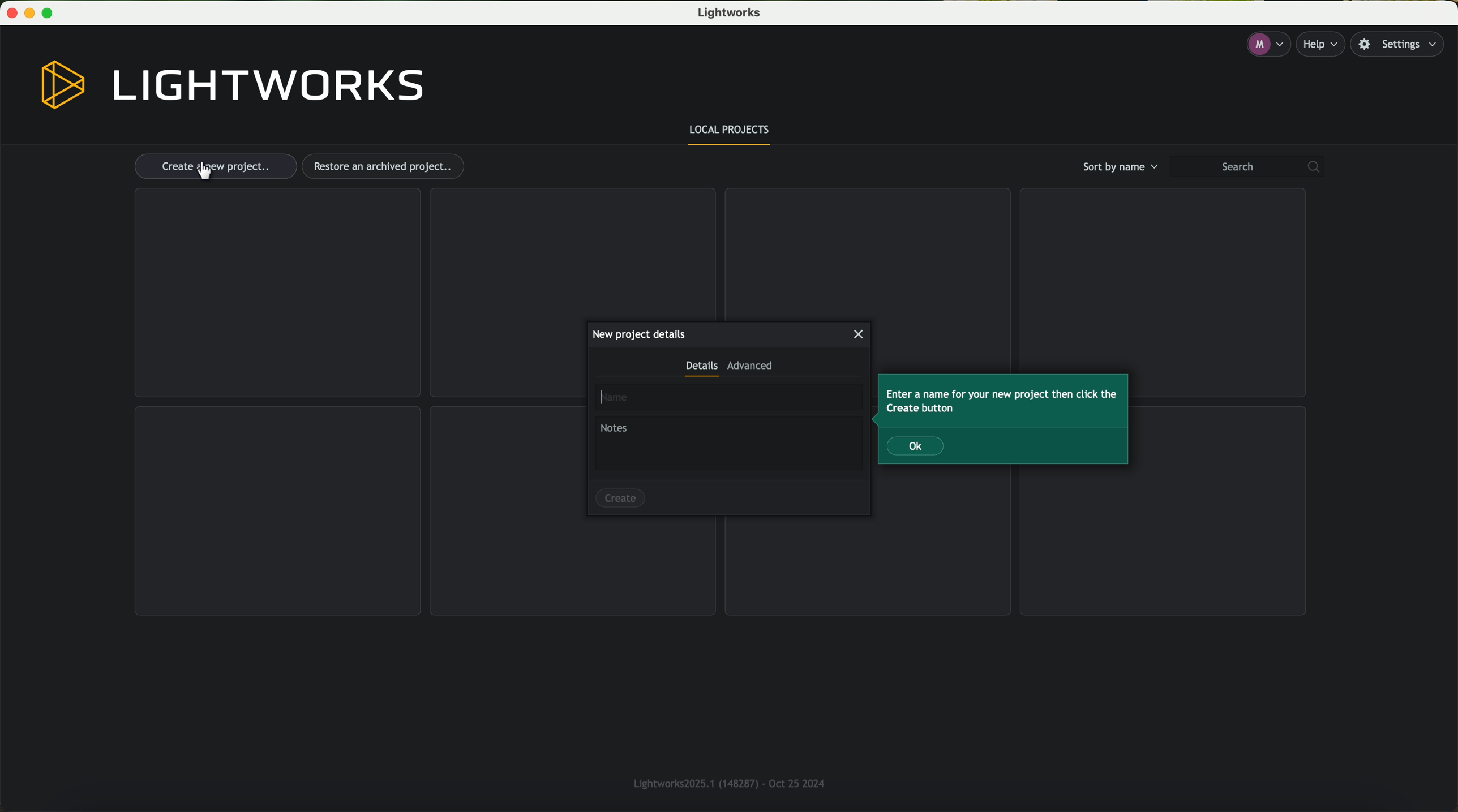 Image resolution: width=1458 pixels, height=812 pixels. What do you see at coordinates (620, 496) in the screenshot?
I see `create button` at bounding box center [620, 496].